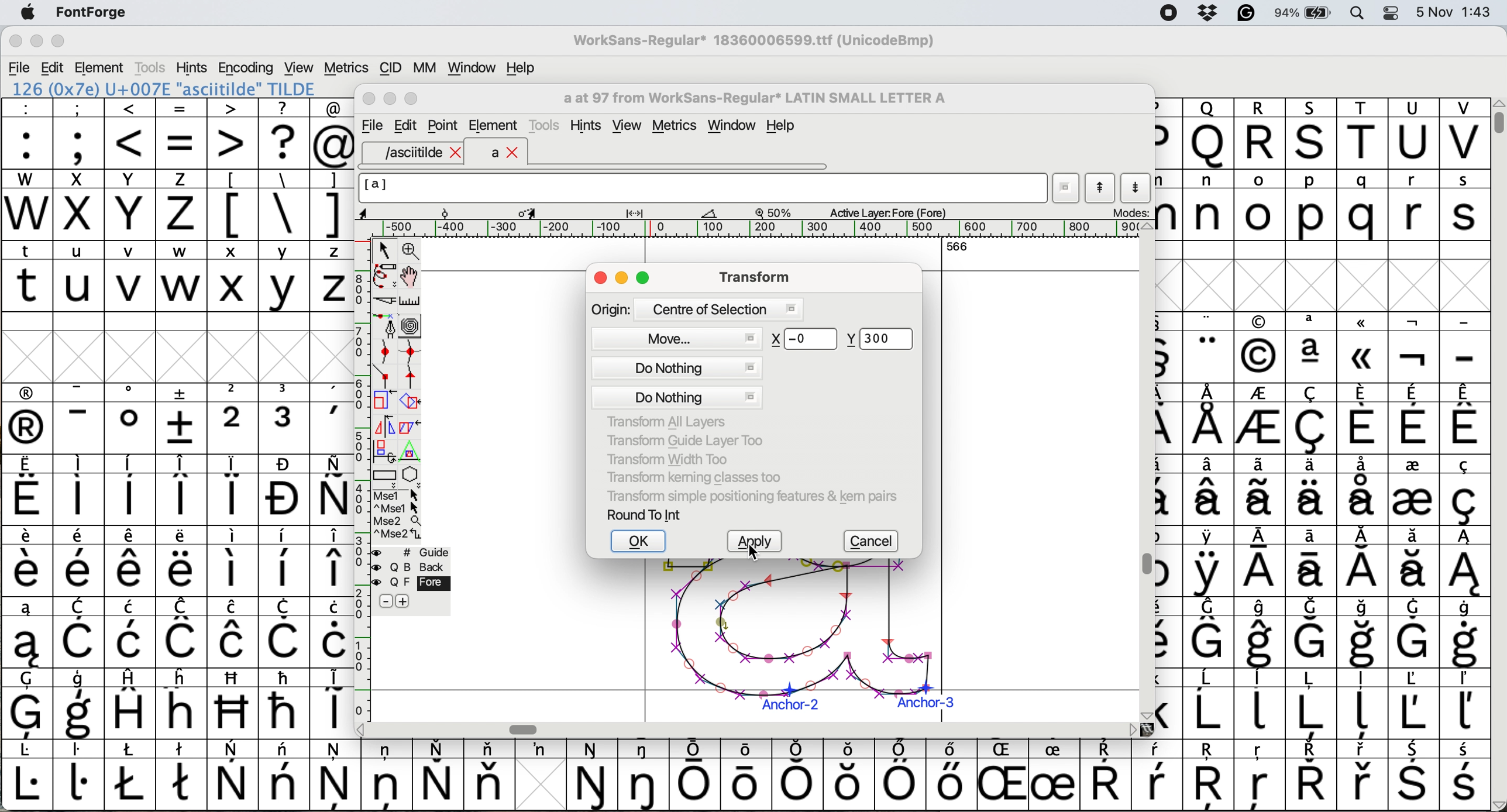 The image size is (1507, 812). I want to click on zoom scale, so click(777, 212).